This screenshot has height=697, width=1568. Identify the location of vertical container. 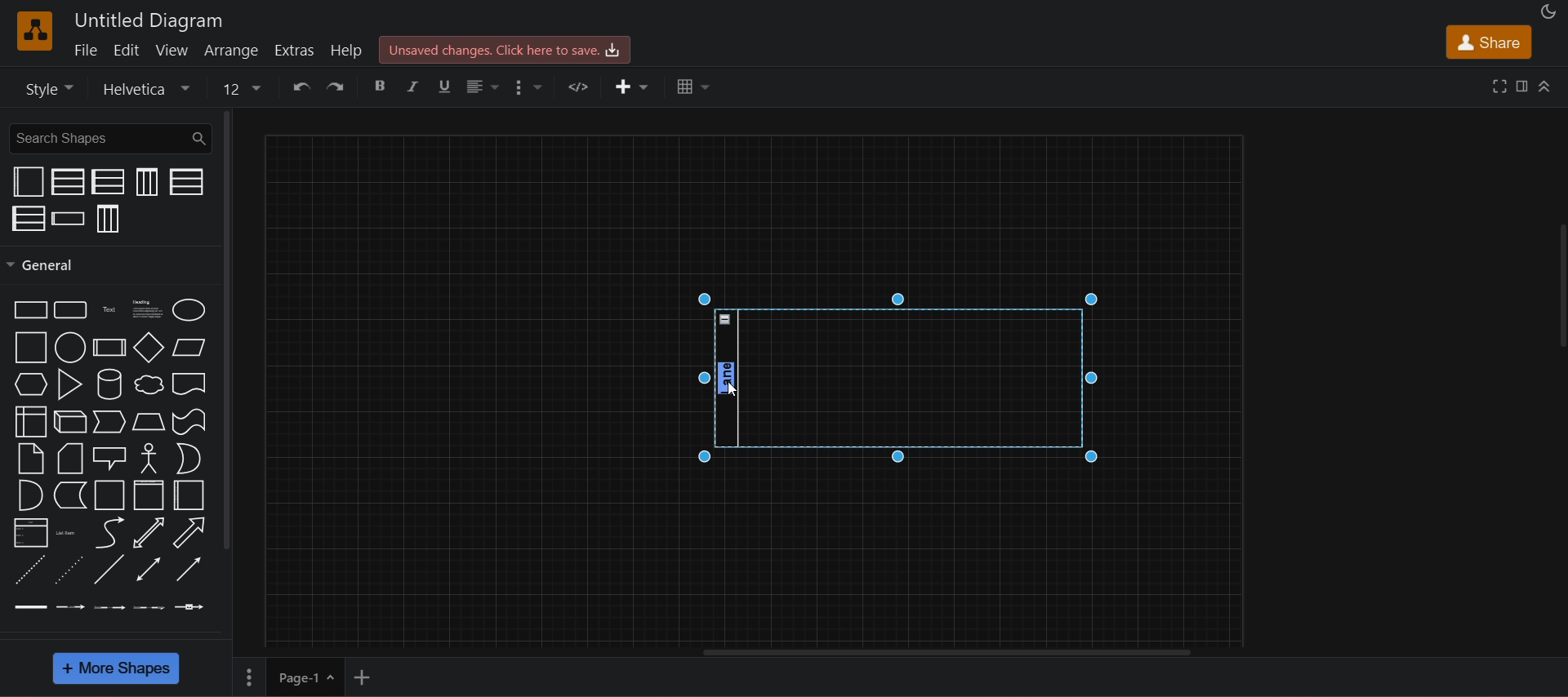
(149, 495).